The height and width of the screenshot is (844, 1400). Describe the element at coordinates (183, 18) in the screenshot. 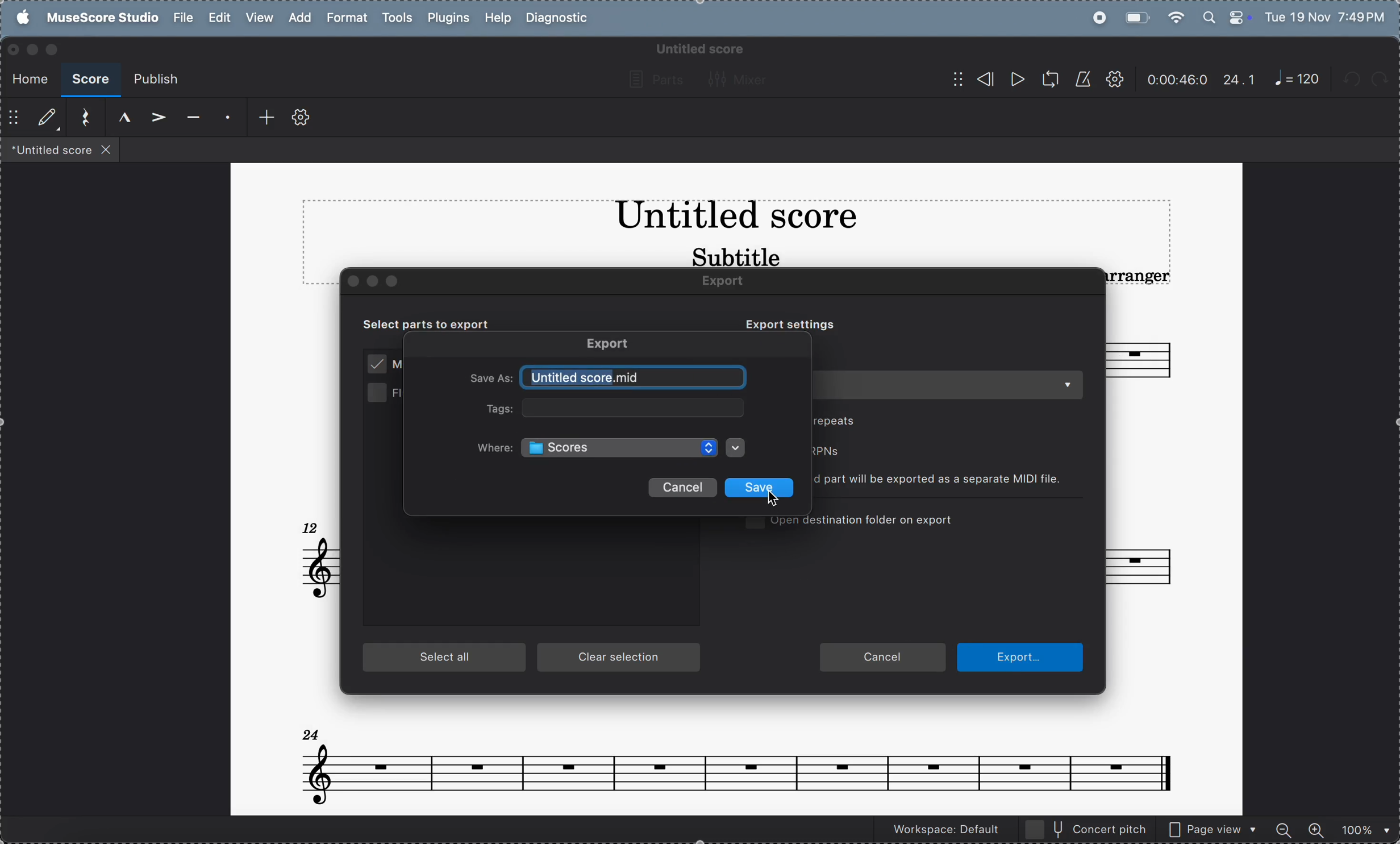

I see `file` at that location.